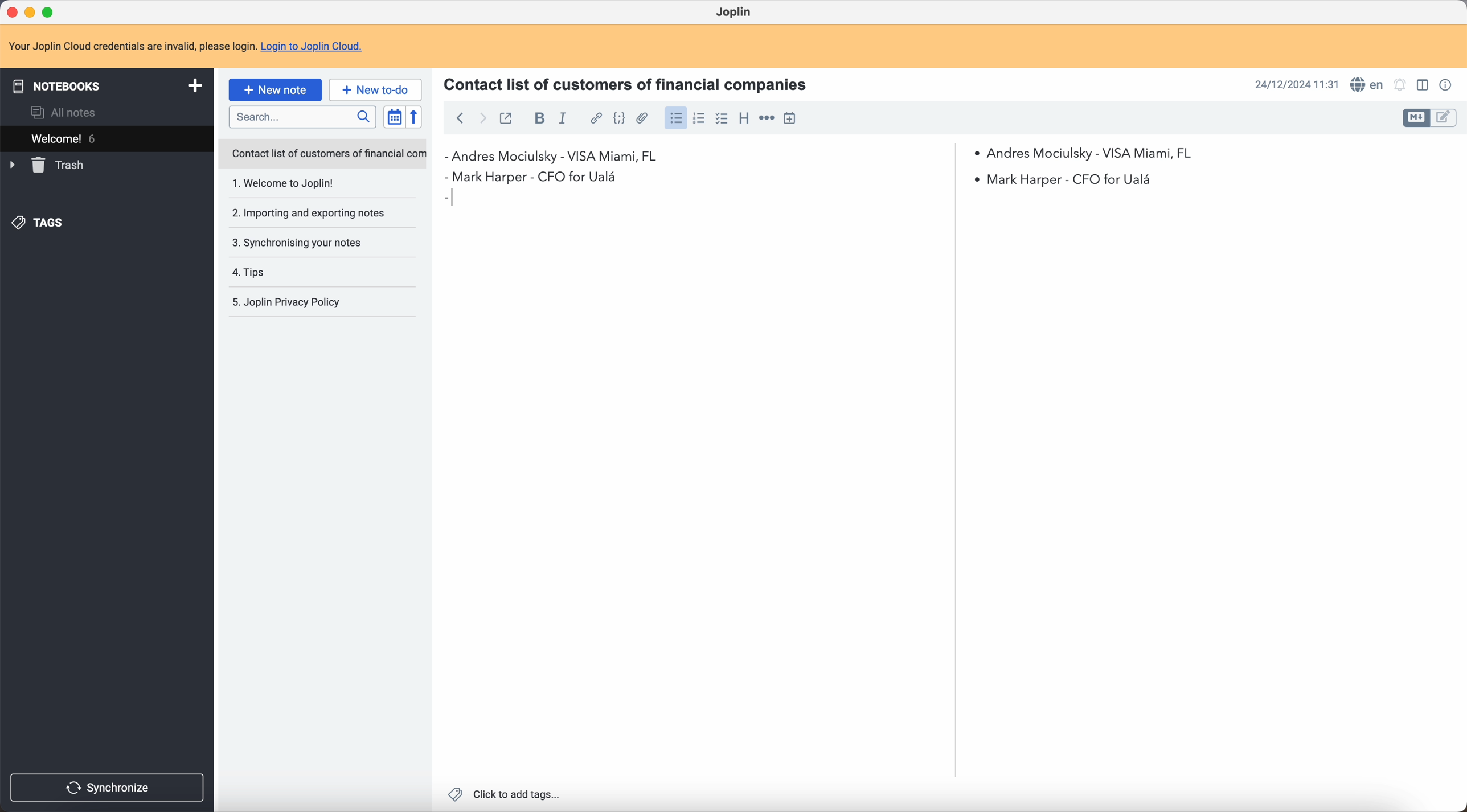 This screenshot has height=812, width=1467. What do you see at coordinates (1417, 118) in the screenshot?
I see `toggle edit layout` at bounding box center [1417, 118].